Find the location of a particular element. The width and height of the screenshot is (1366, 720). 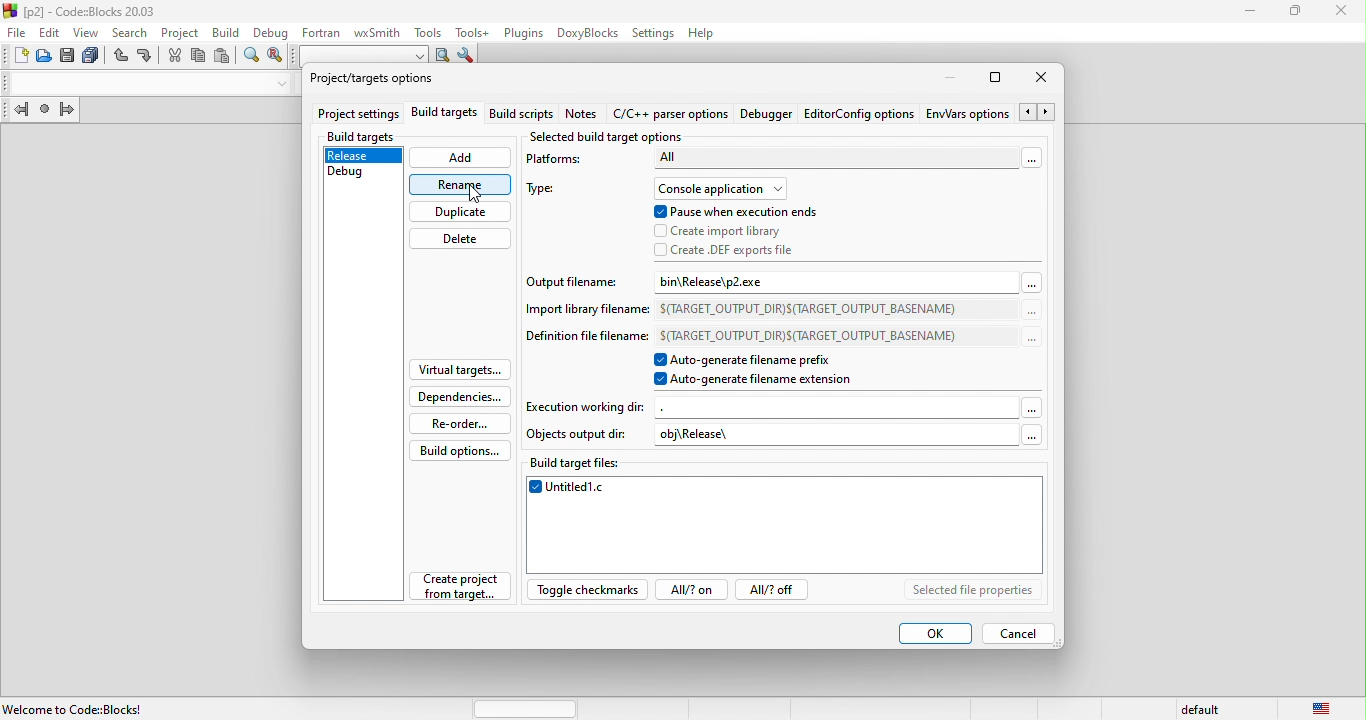

last jump is located at coordinates (47, 112).